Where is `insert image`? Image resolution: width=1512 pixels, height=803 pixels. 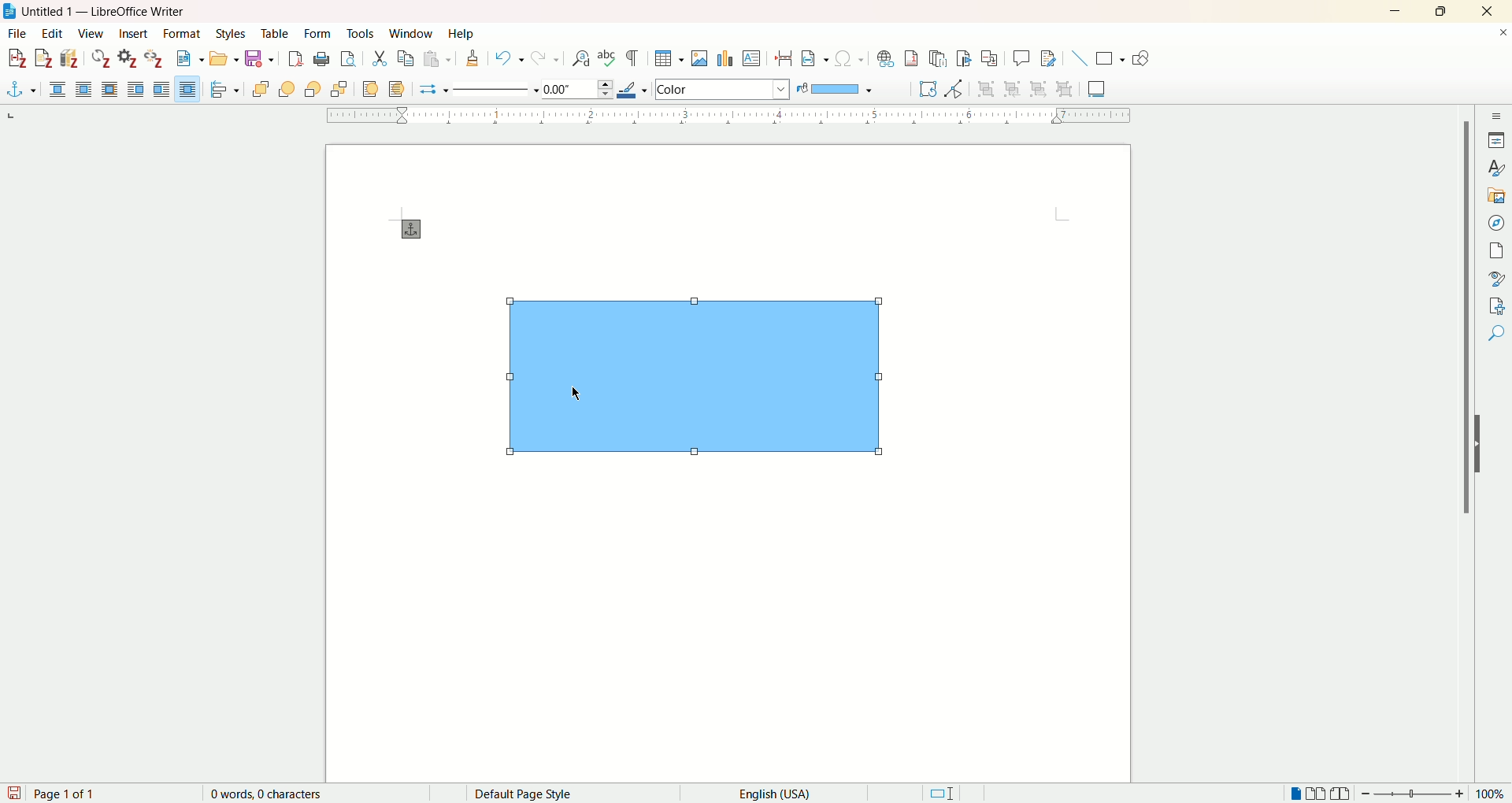 insert image is located at coordinates (702, 59).